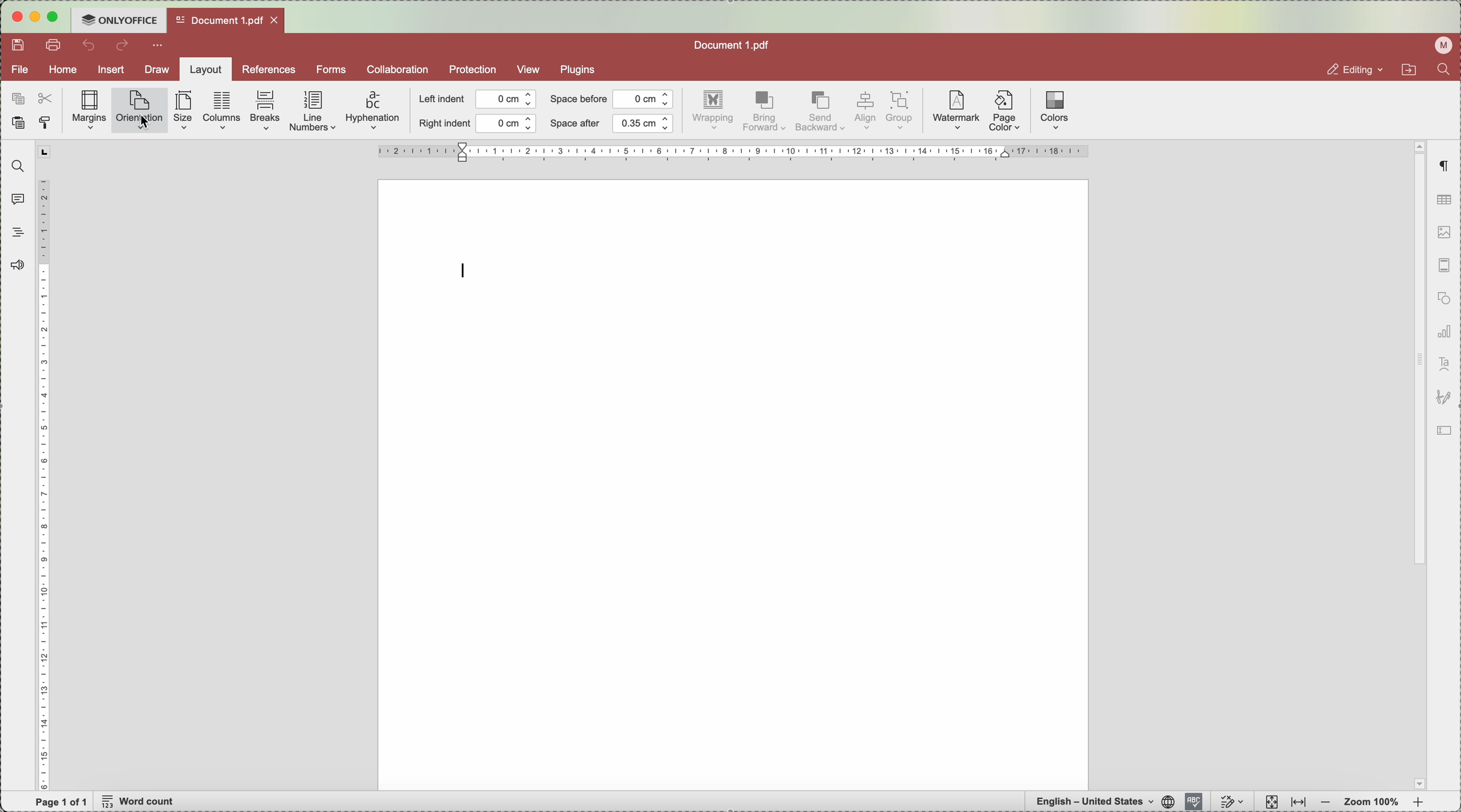 This screenshot has width=1461, height=812. Describe the element at coordinates (1298, 803) in the screenshot. I see `fit to wight` at that location.